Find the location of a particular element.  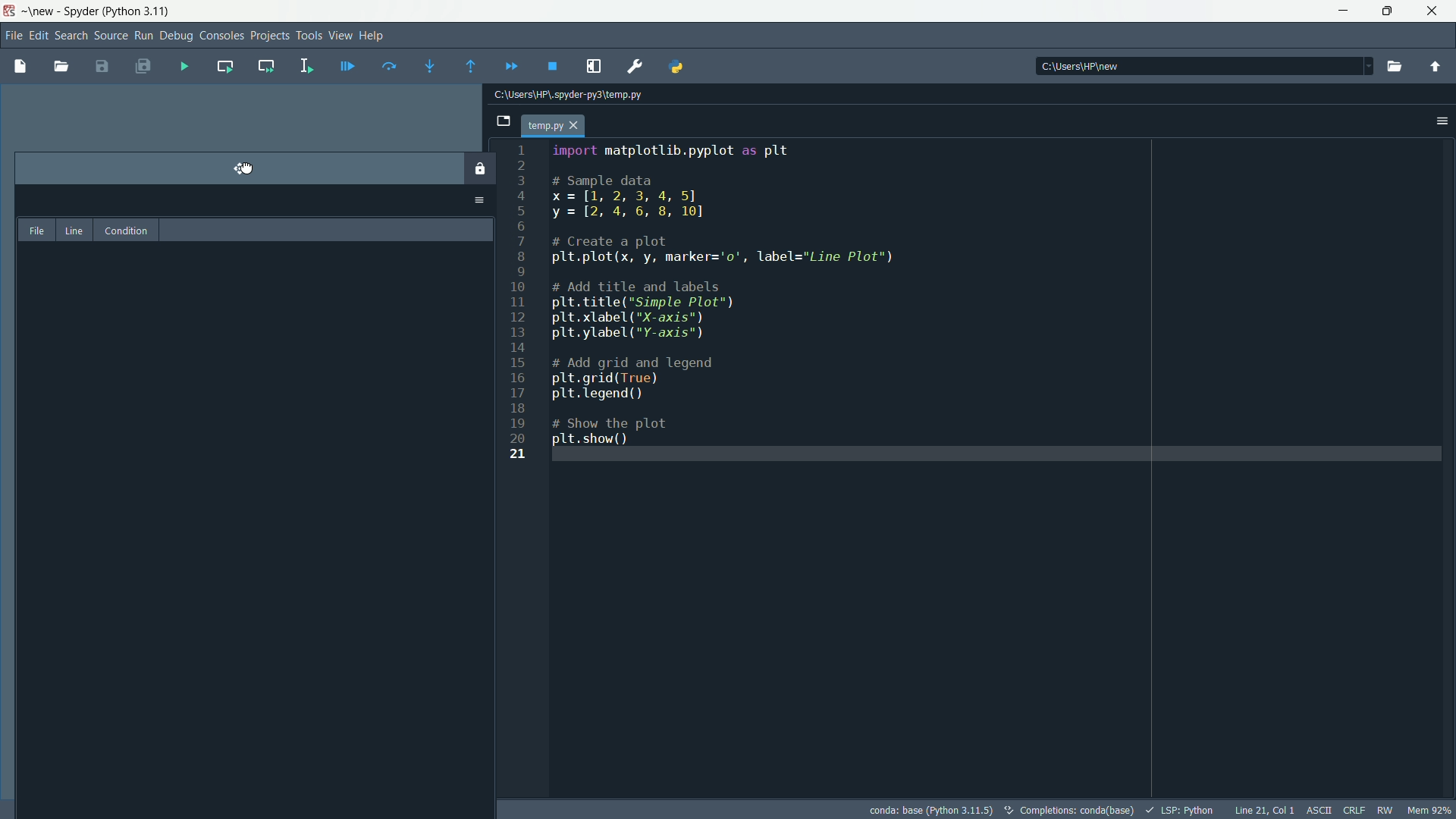

temp.py is located at coordinates (558, 127).